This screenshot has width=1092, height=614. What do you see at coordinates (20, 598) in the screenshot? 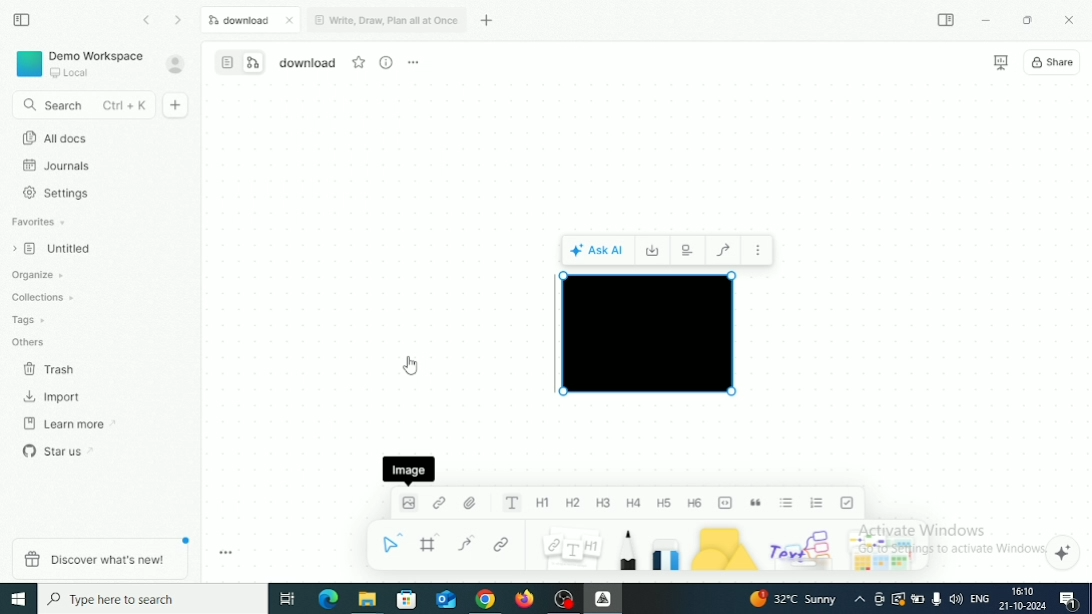
I see `Windows` at bounding box center [20, 598].